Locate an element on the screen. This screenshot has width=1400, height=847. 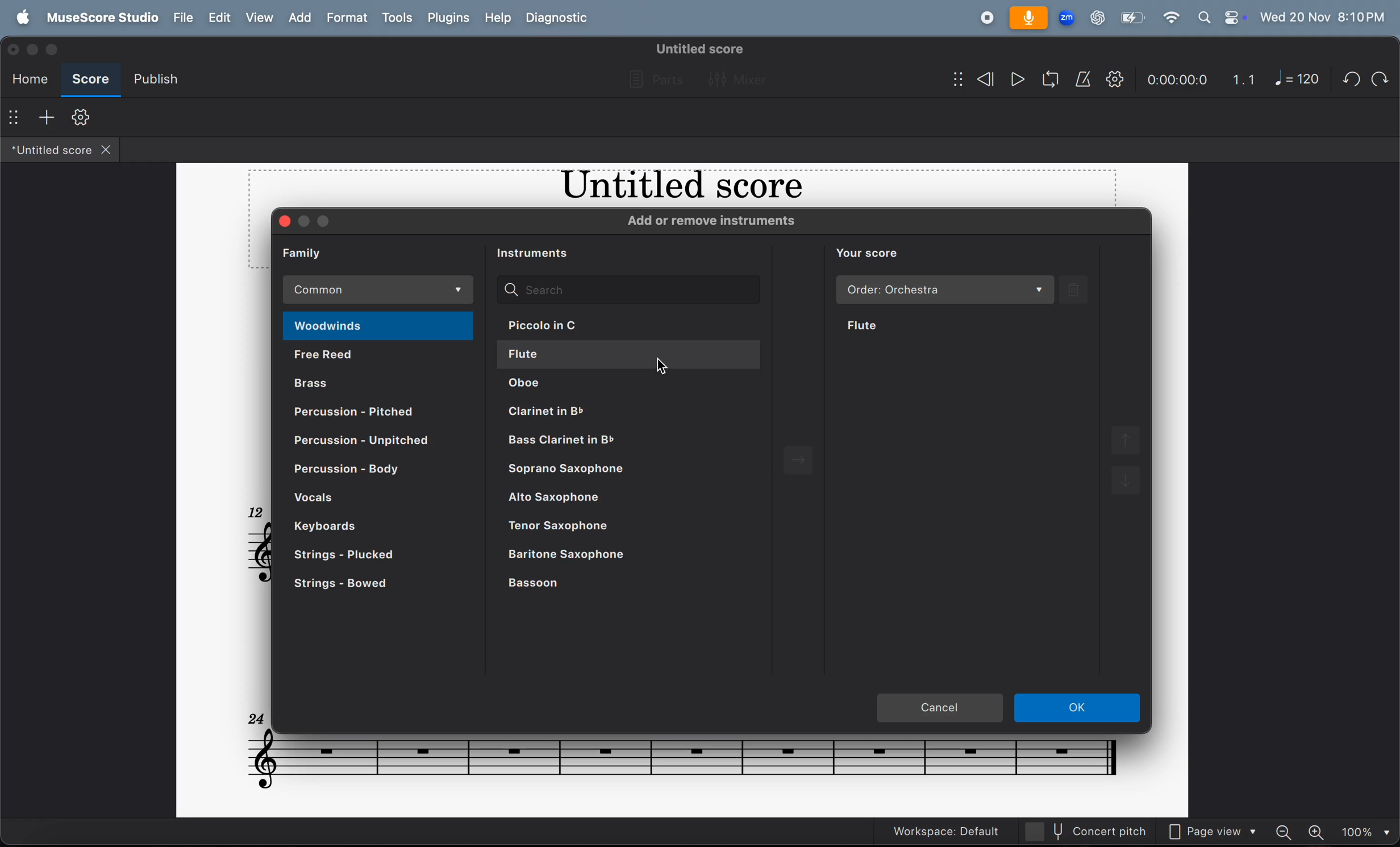
zoom in is located at coordinates (1318, 831).